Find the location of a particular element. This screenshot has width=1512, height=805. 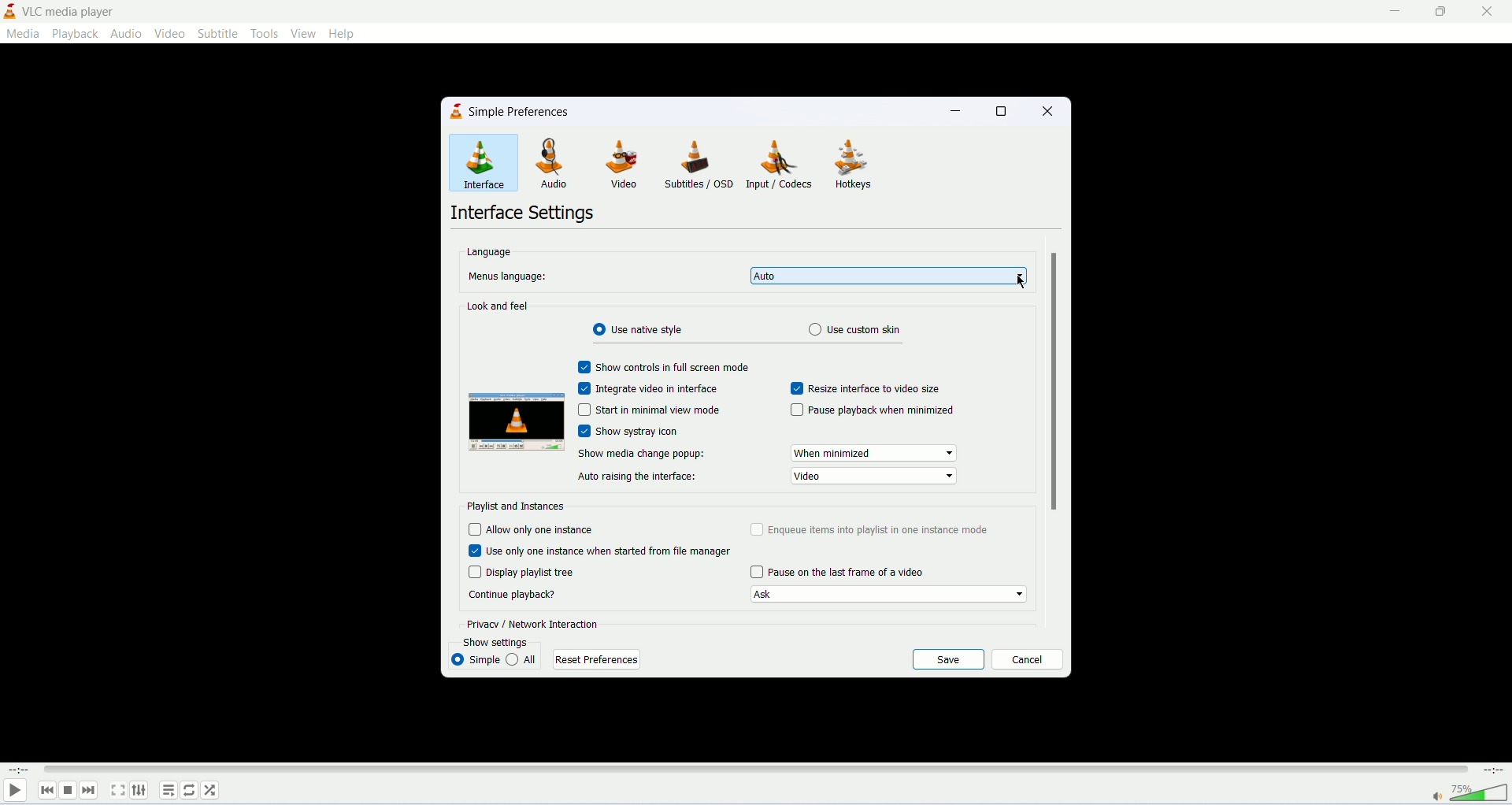

Menu's language is located at coordinates (505, 276).